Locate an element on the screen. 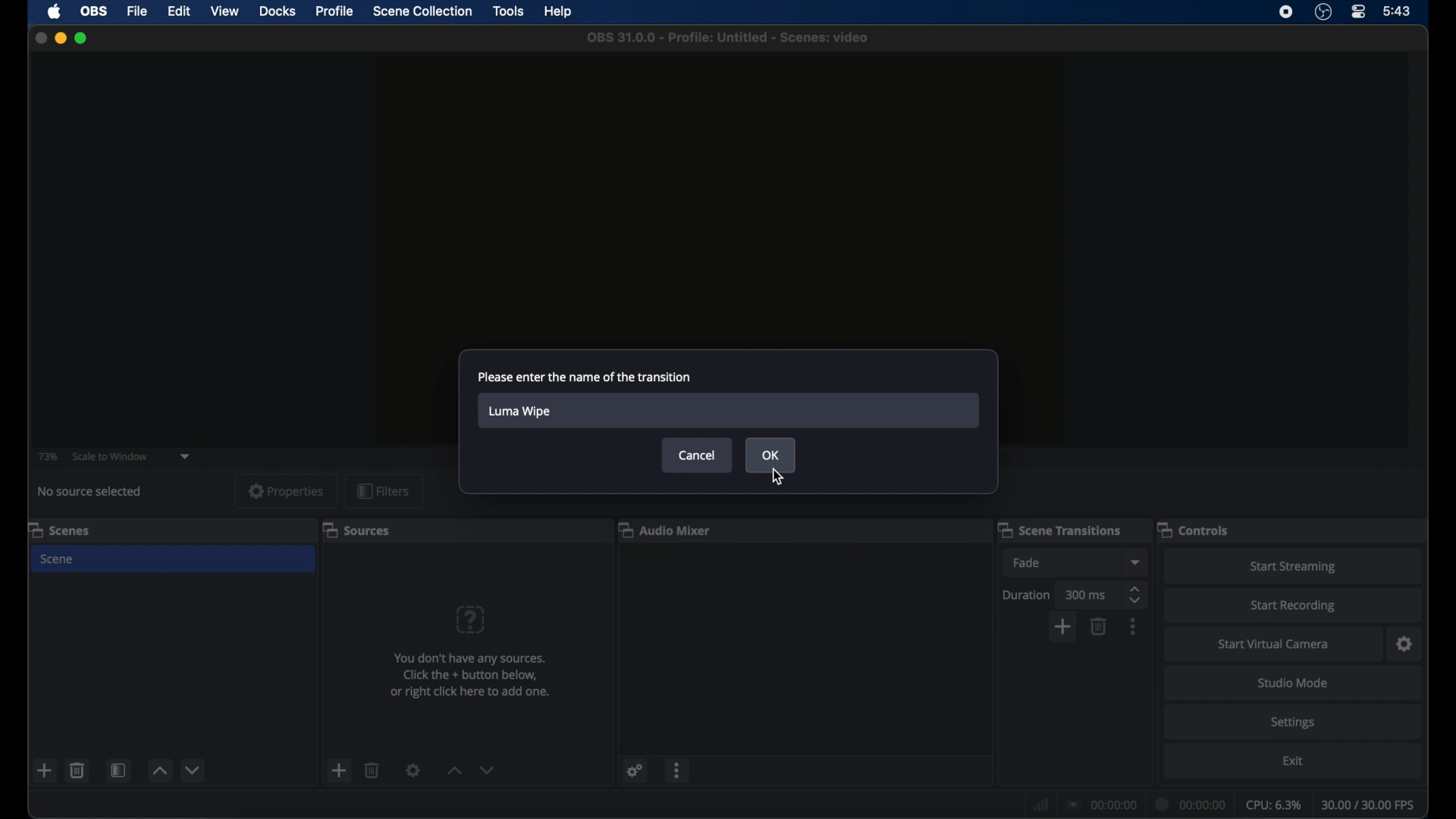 The image size is (1456, 819). add is located at coordinates (340, 770).